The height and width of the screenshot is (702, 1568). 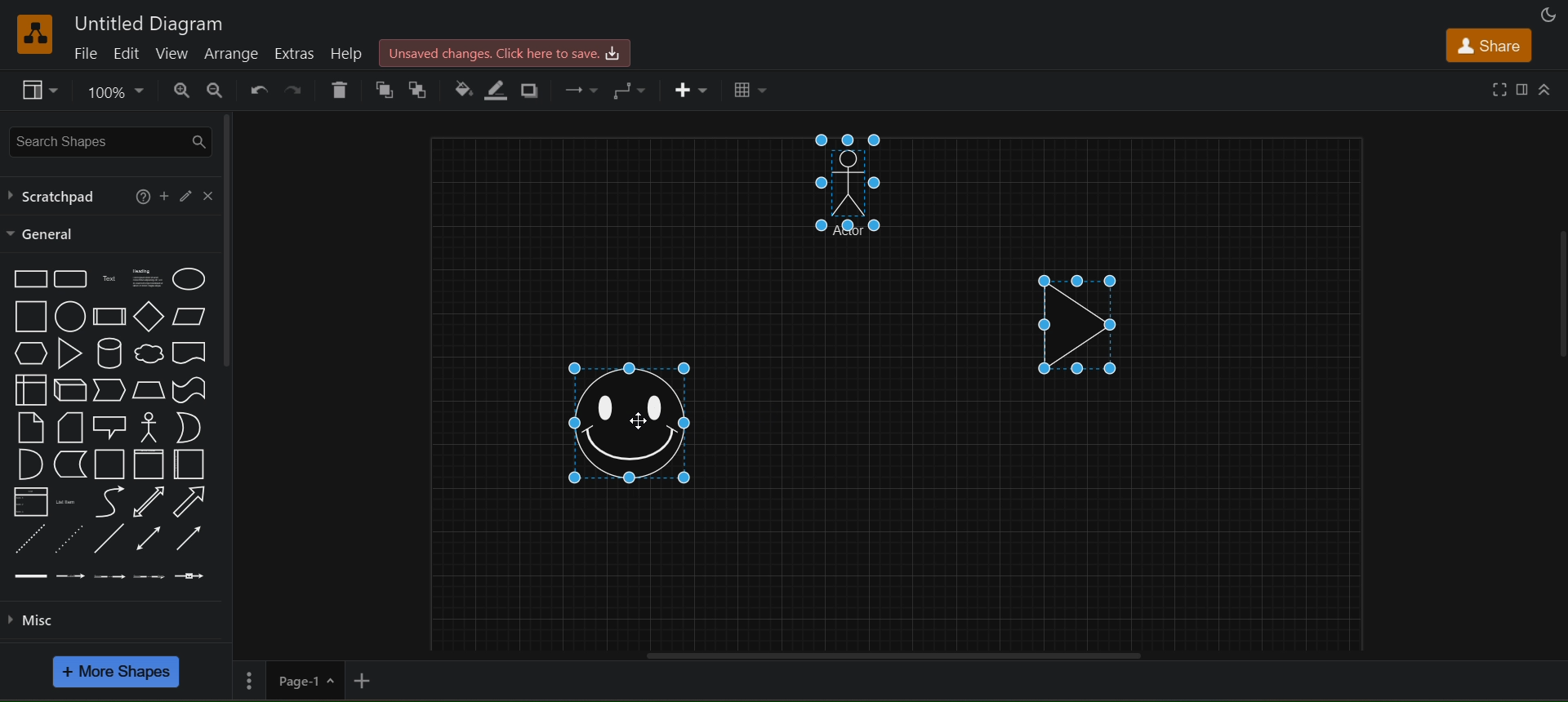 What do you see at coordinates (216, 92) in the screenshot?
I see `zoom out` at bounding box center [216, 92].